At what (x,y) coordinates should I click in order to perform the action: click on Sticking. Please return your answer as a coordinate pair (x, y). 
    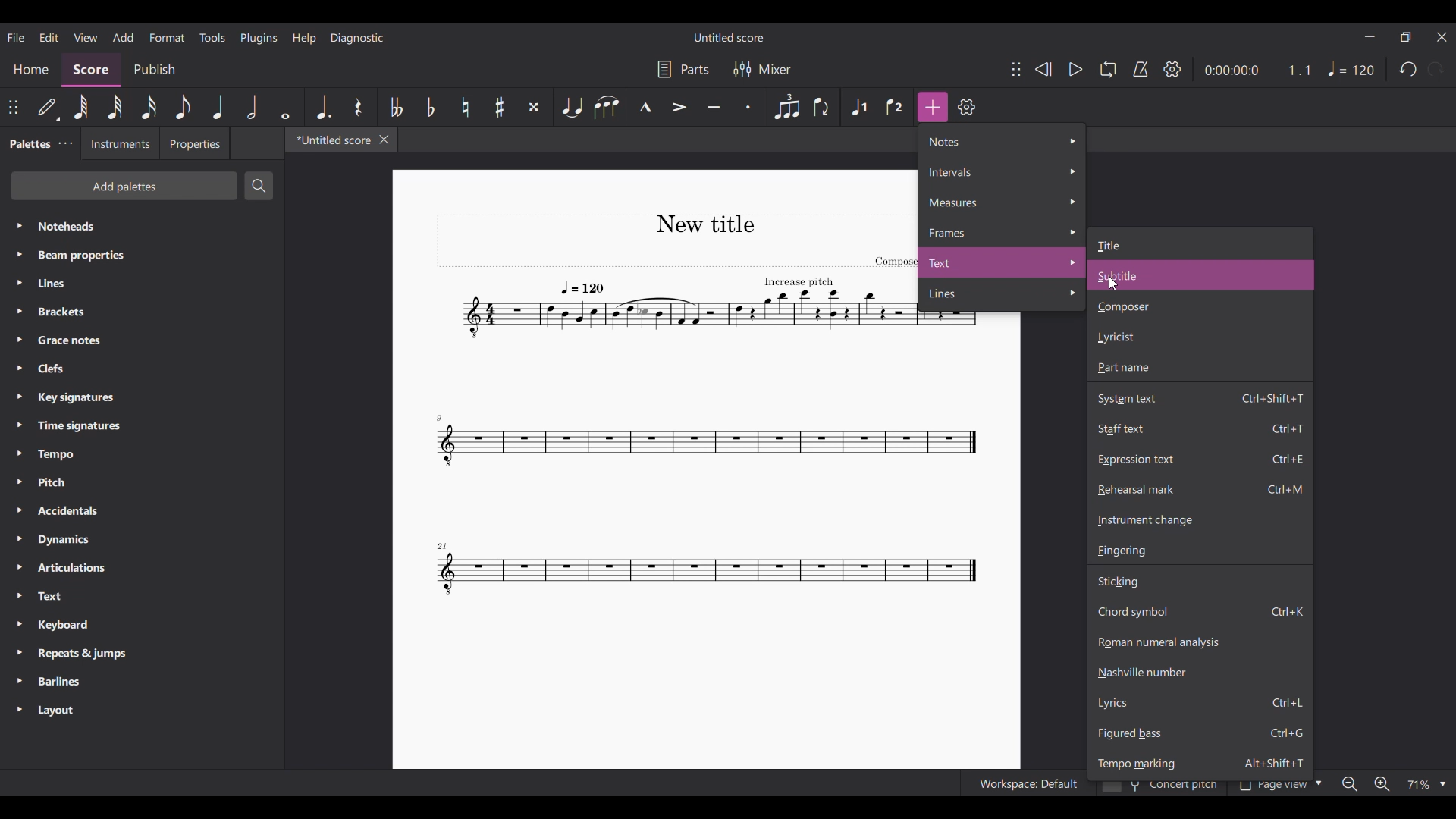
    Looking at the image, I should click on (1200, 582).